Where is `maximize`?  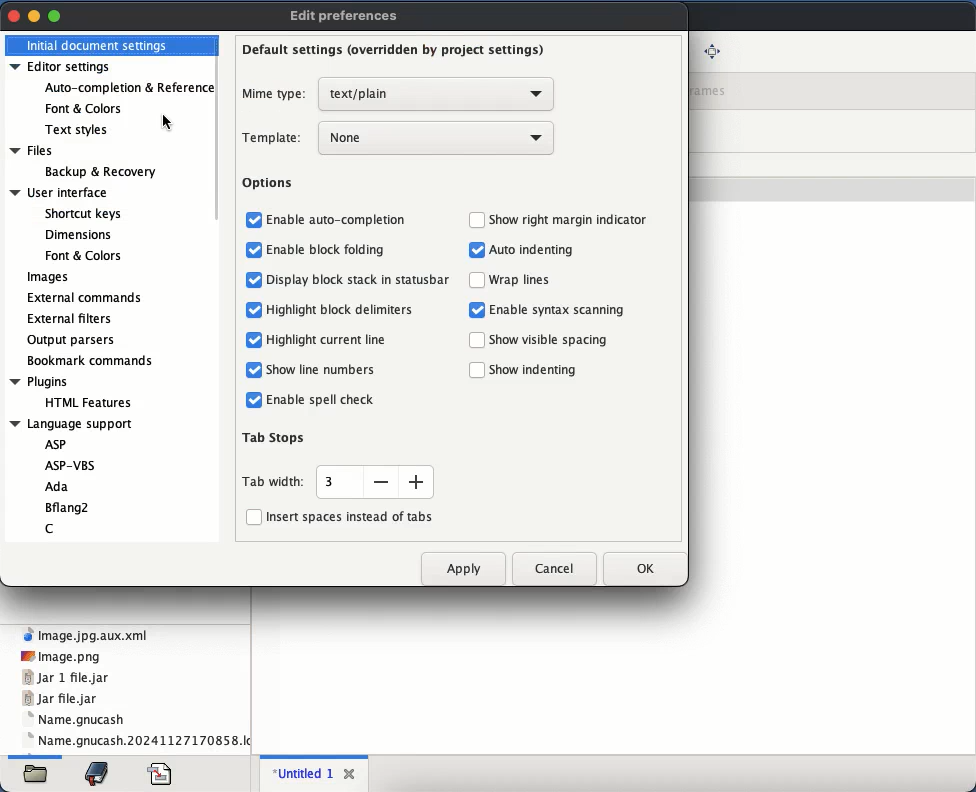 maximize is located at coordinates (55, 17).